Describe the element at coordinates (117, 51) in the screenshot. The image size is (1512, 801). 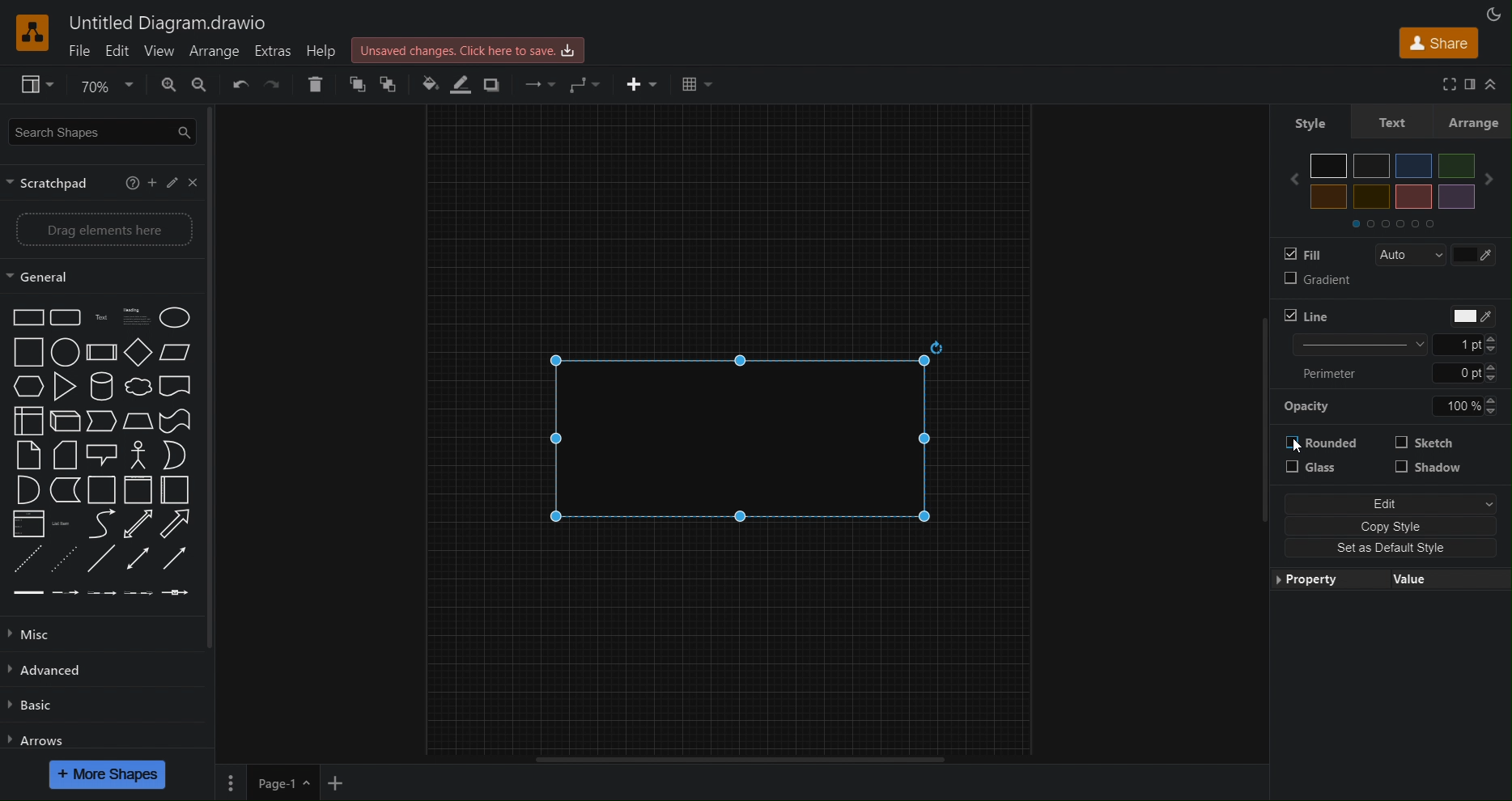
I see `Edit` at that location.